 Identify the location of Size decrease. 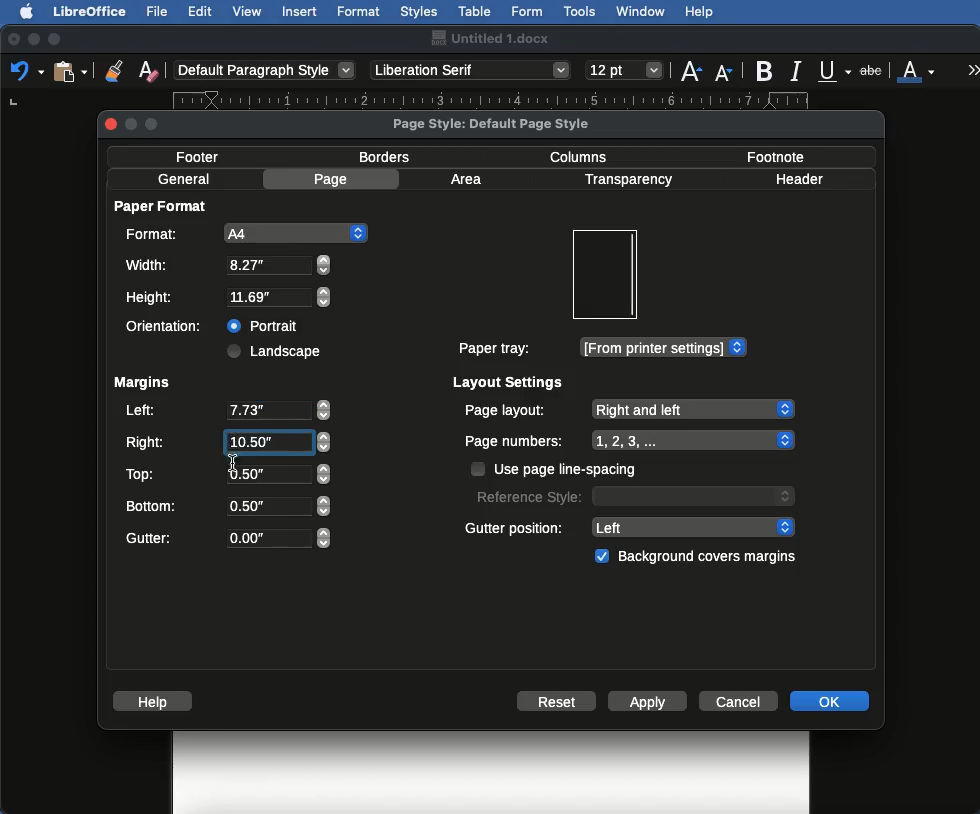
(728, 72).